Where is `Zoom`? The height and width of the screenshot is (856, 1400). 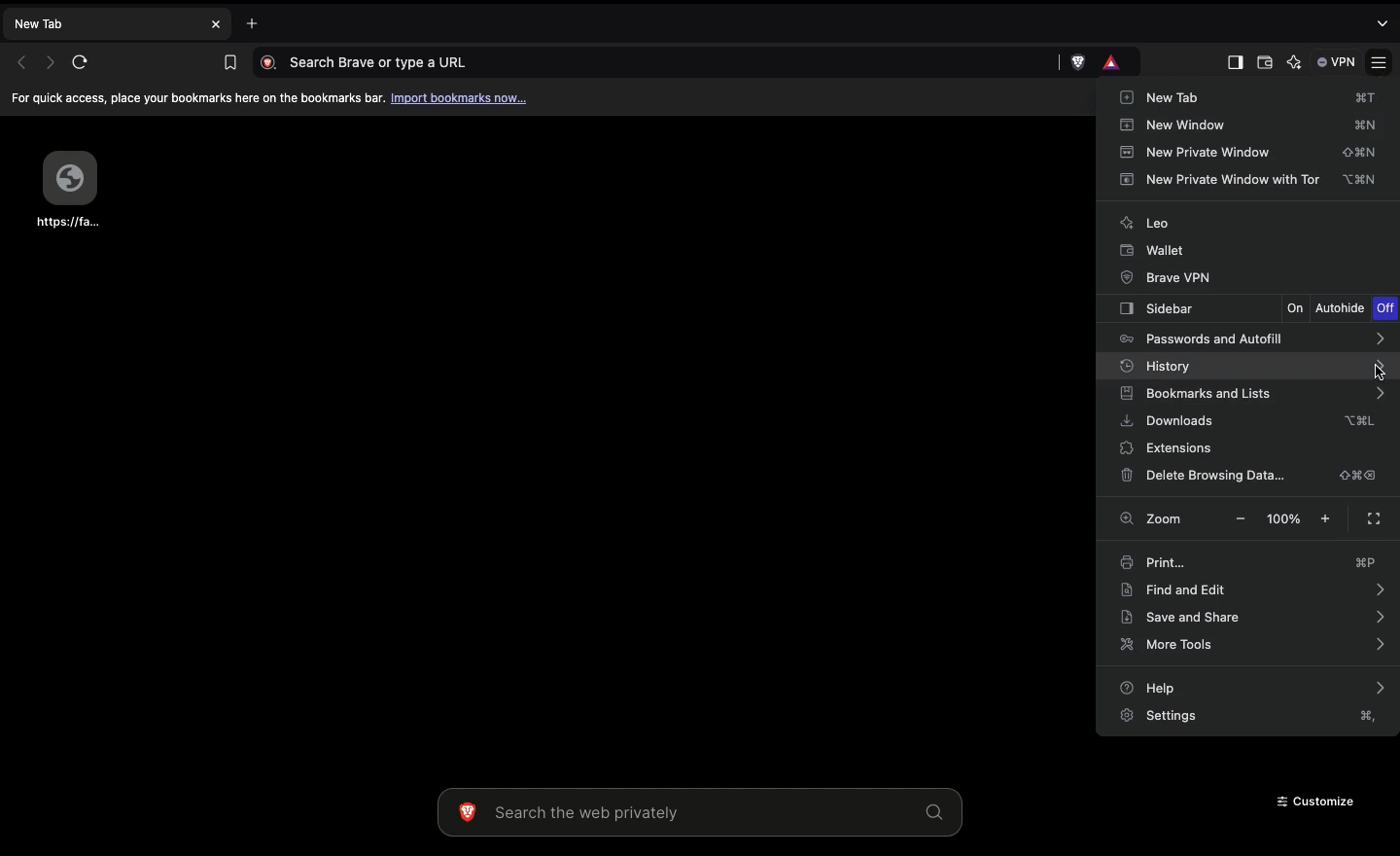 Zoom is located at coordinates (1215, 519).